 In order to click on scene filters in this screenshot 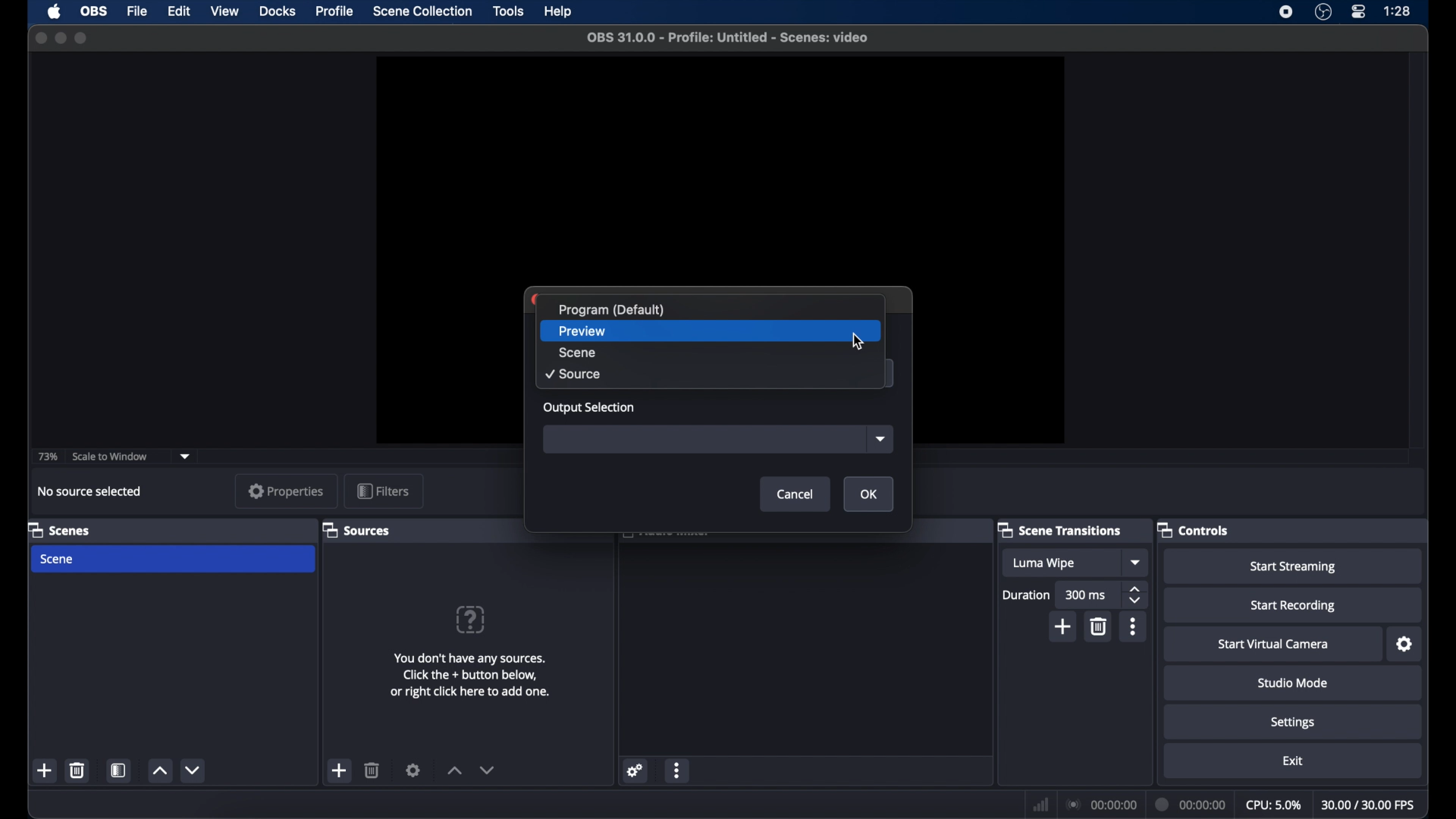, I will do `click(120, 770)`.